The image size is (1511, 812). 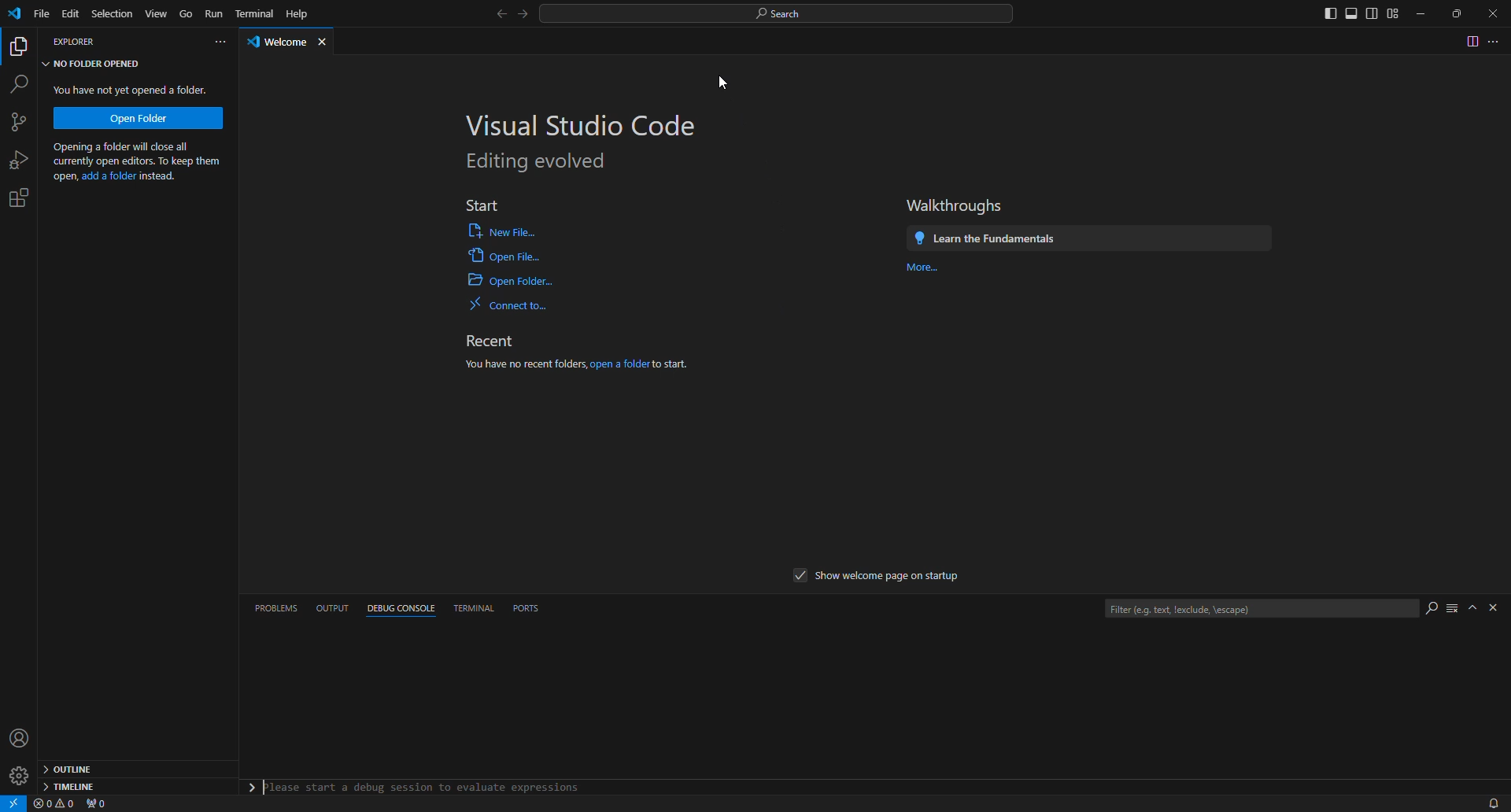 I want to click on File, so click(x=40, y=15).